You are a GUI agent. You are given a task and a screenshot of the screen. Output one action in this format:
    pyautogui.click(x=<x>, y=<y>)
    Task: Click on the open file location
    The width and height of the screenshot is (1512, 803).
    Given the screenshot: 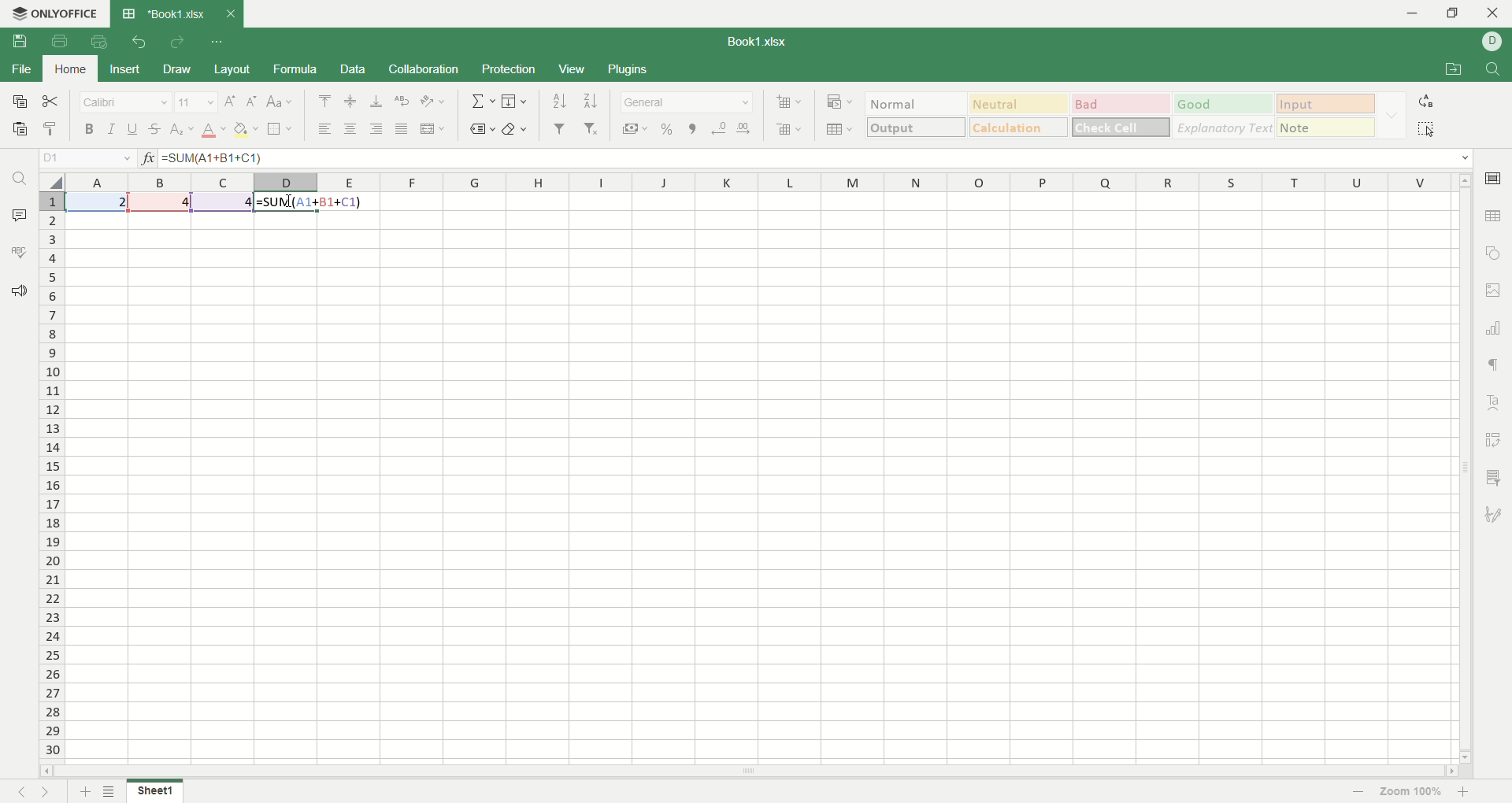 What is the action you would take?
    pyautogui.click(x=1451, y=71)
    